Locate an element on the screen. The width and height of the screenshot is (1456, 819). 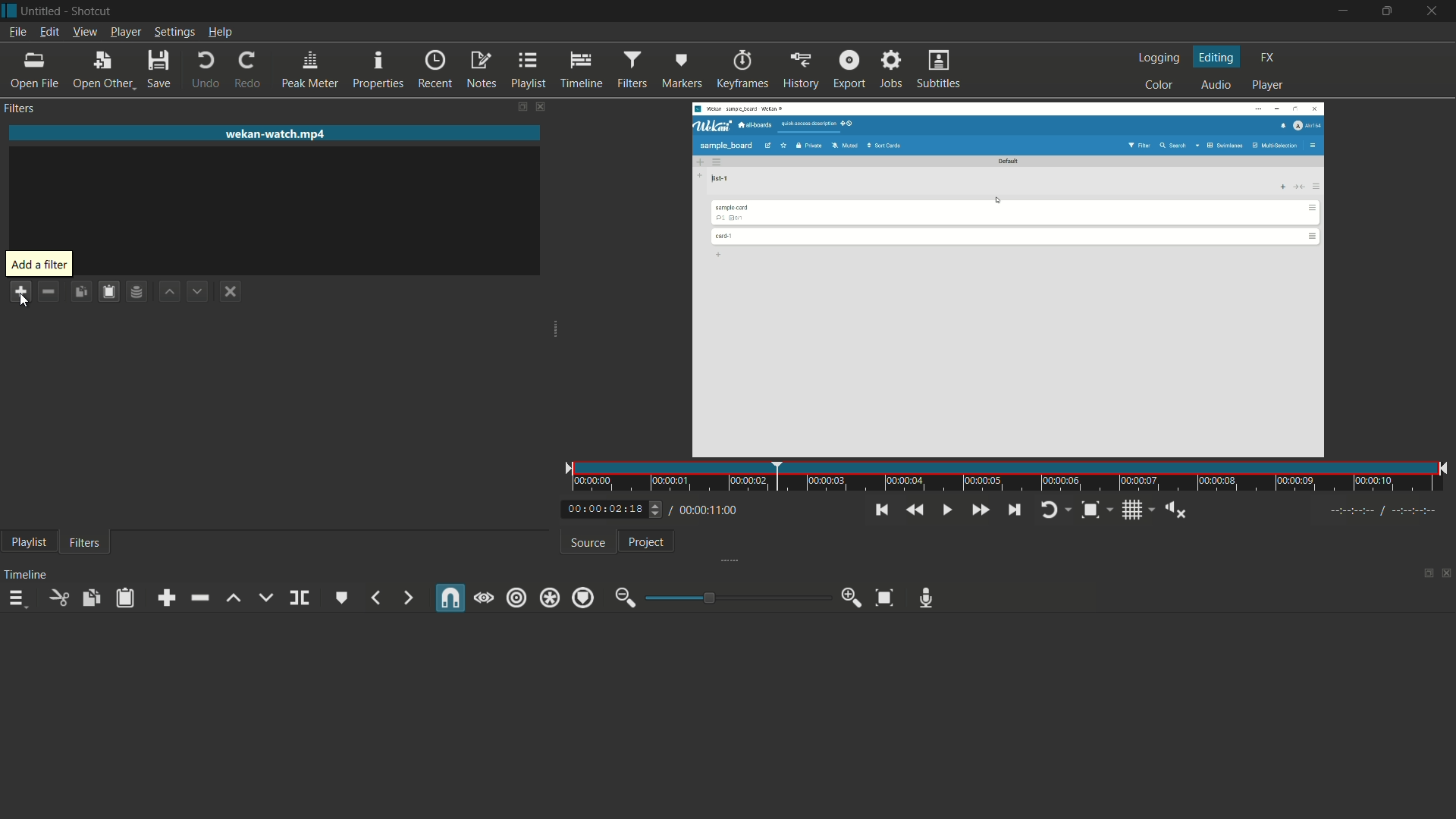
scrub while dragging is located at coordinates (483, 598).